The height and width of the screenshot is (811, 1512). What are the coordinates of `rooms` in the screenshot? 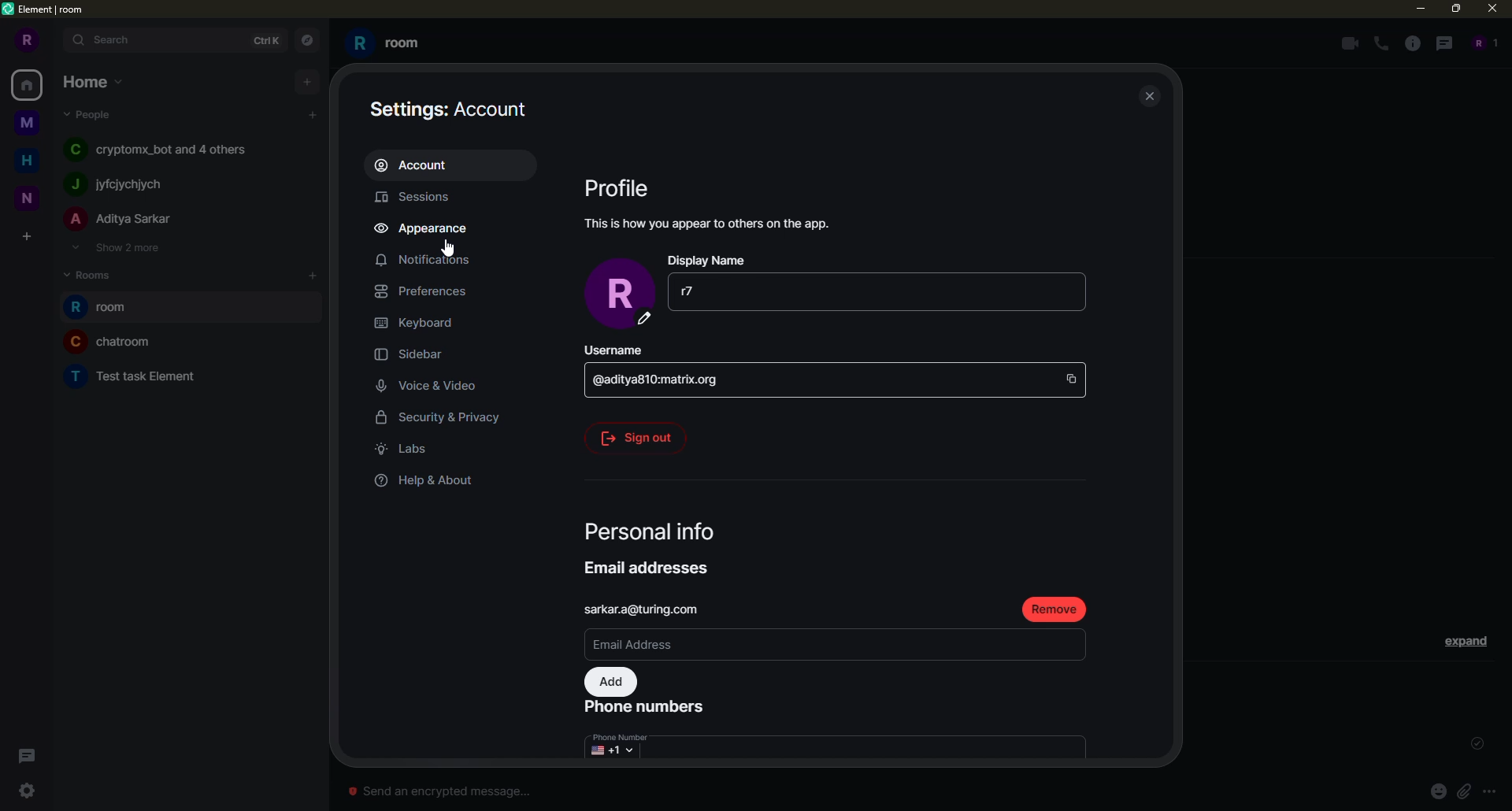 It's located at (94, 273).